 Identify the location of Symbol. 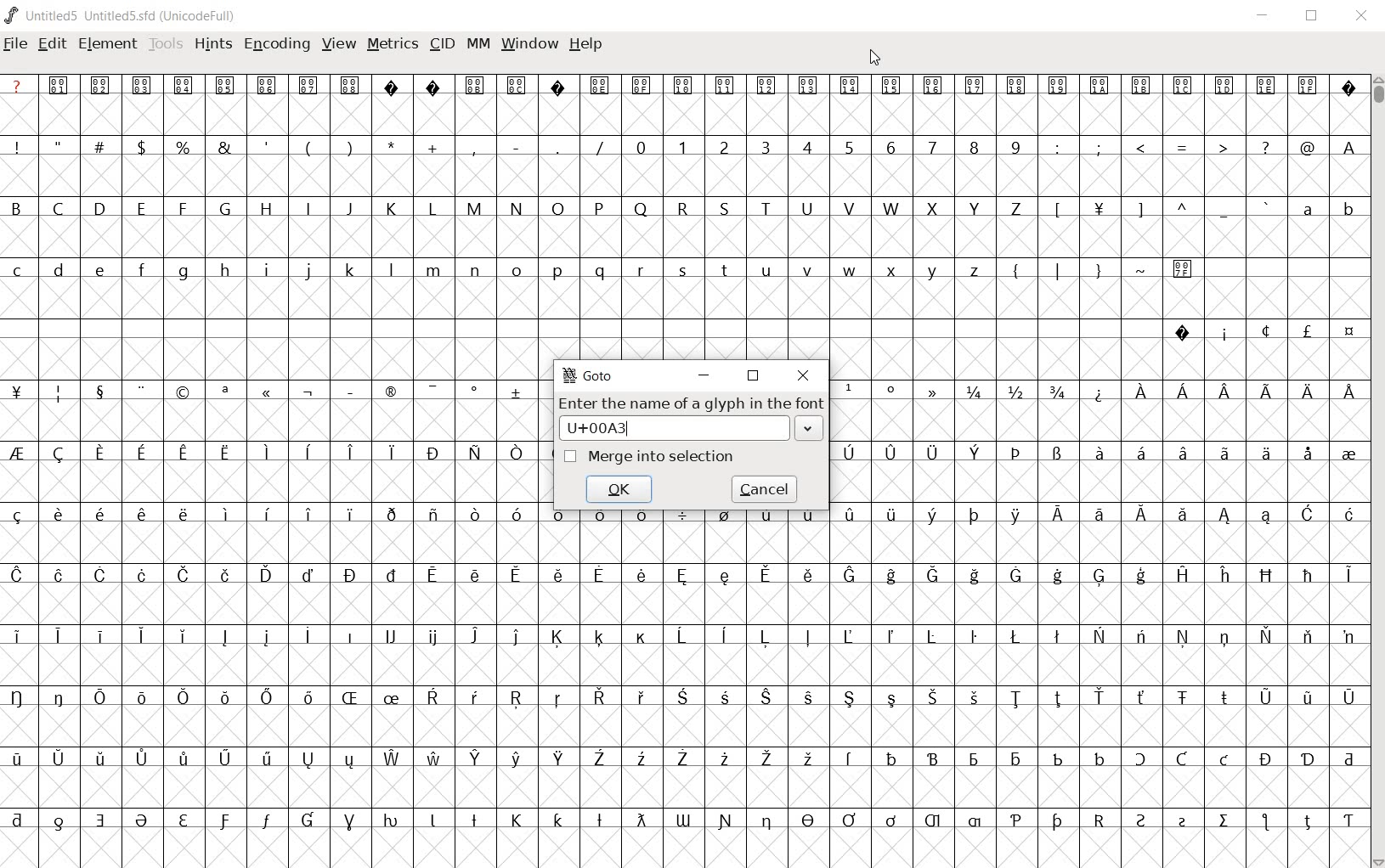
(266, 823).